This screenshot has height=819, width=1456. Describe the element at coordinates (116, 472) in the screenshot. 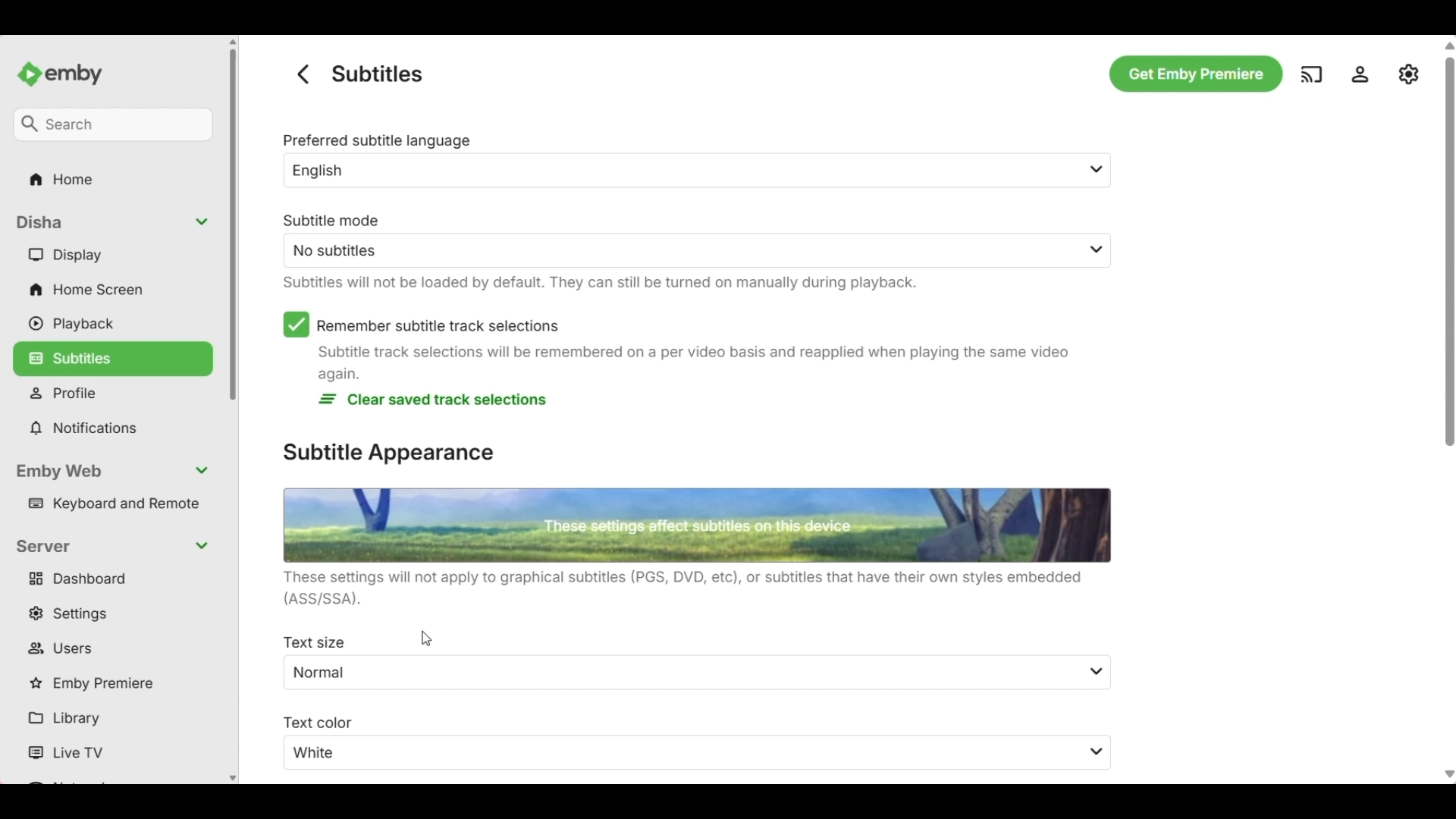

I see `Collapse Emby web` at that location.